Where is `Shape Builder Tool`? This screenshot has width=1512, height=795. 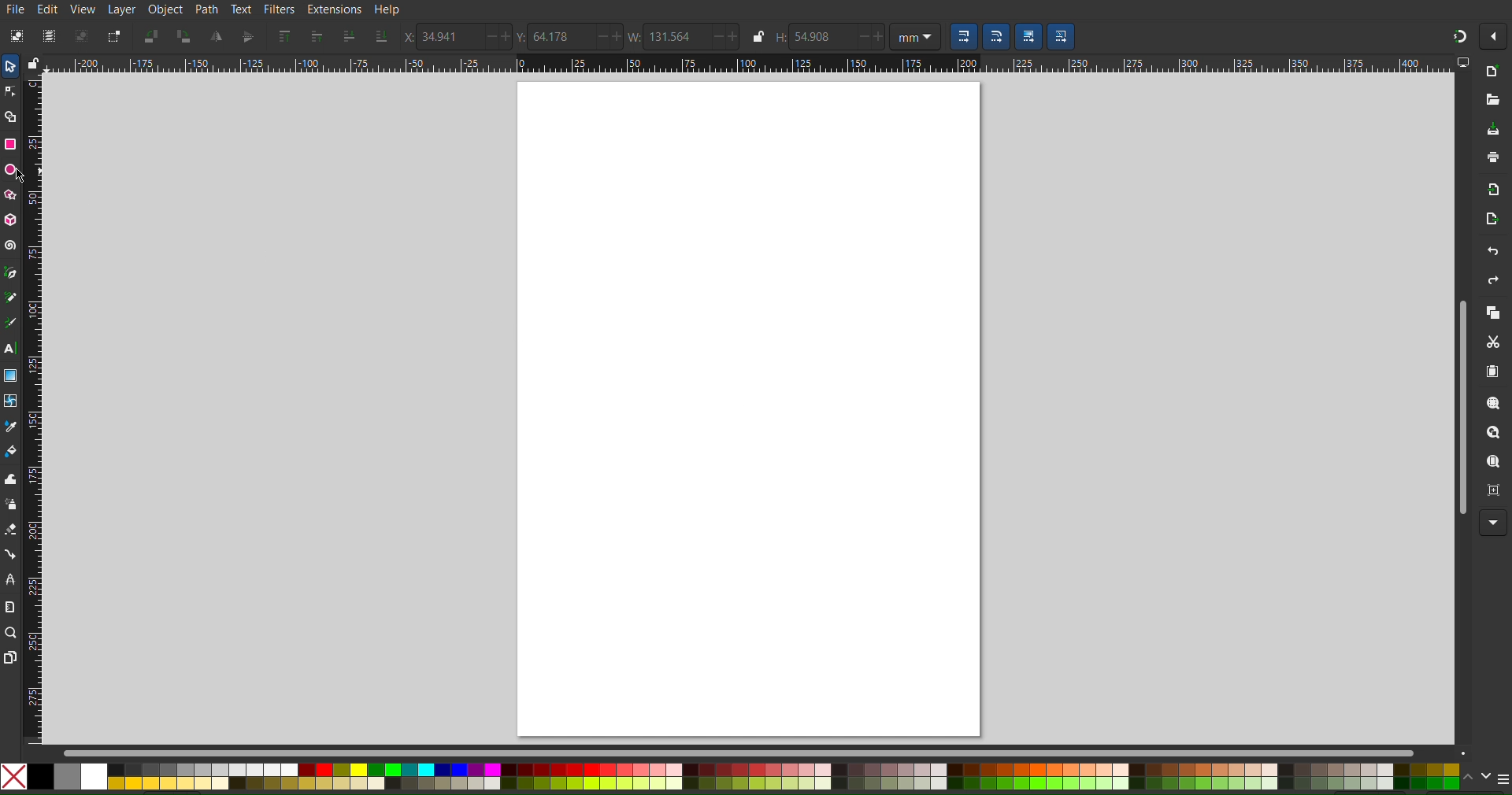
Shape Builder Tool is located at coordinates (11, 116).